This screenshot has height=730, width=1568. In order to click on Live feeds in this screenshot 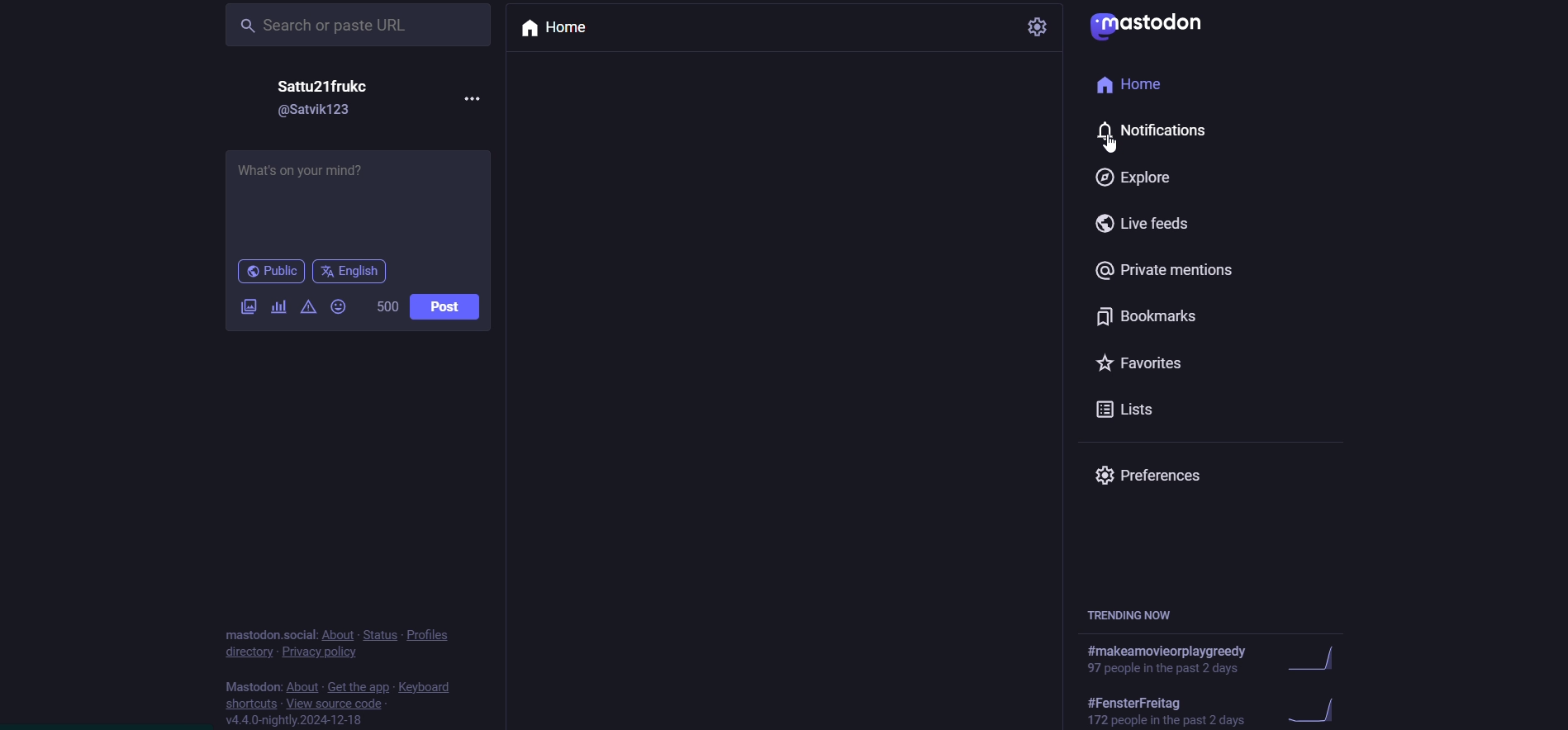, I will do `click(1143, 223)`.